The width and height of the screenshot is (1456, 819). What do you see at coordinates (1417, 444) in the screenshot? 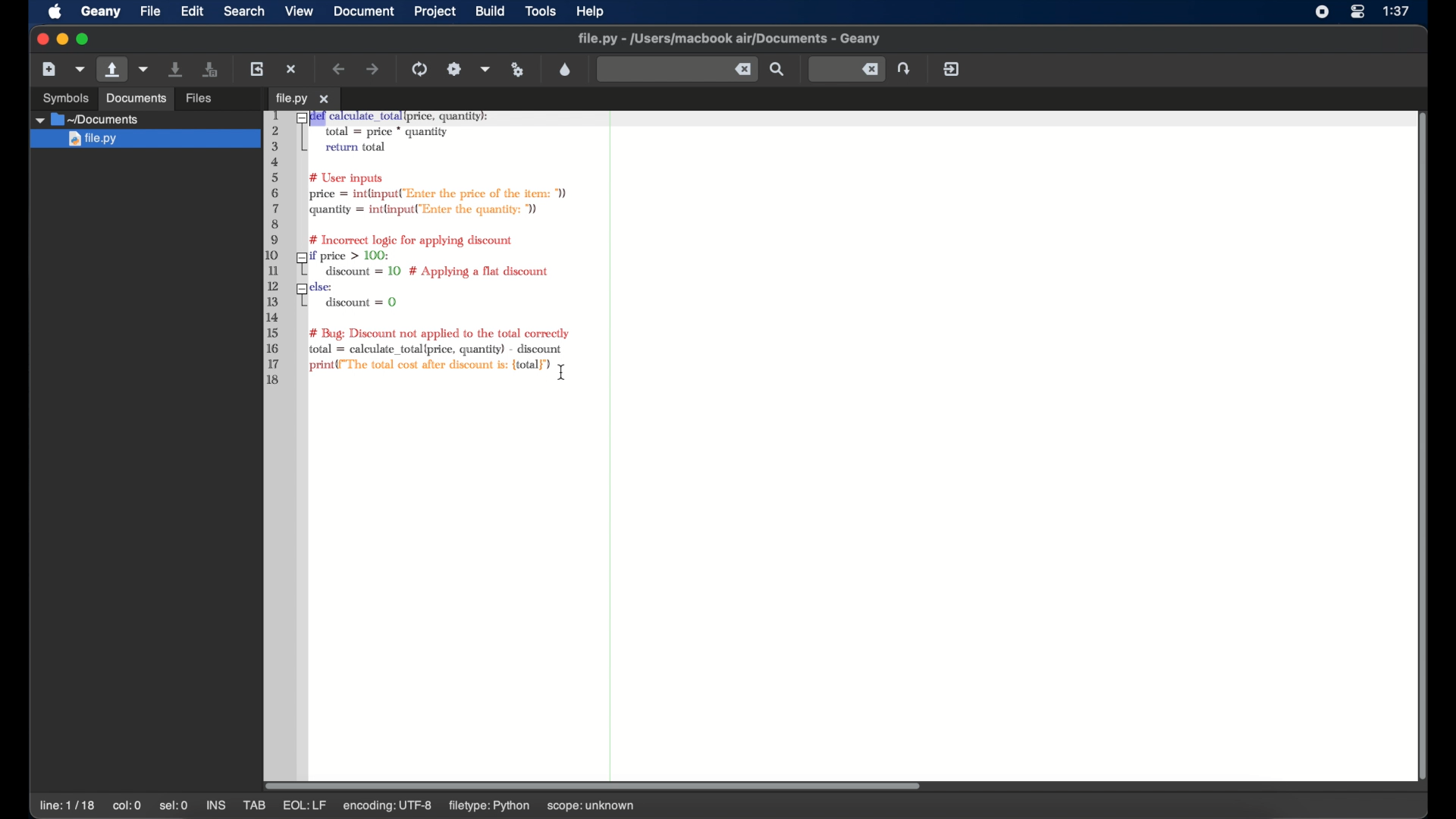
I see `scroll bar` at bounding box center [1417, 444].